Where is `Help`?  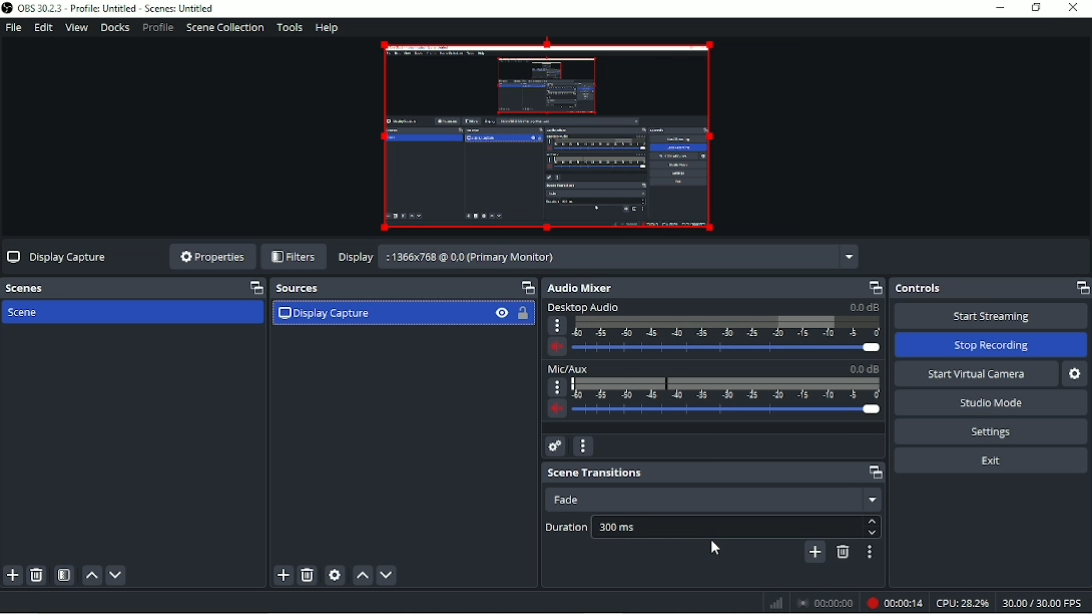
Help is located at coordinates (323, 27).